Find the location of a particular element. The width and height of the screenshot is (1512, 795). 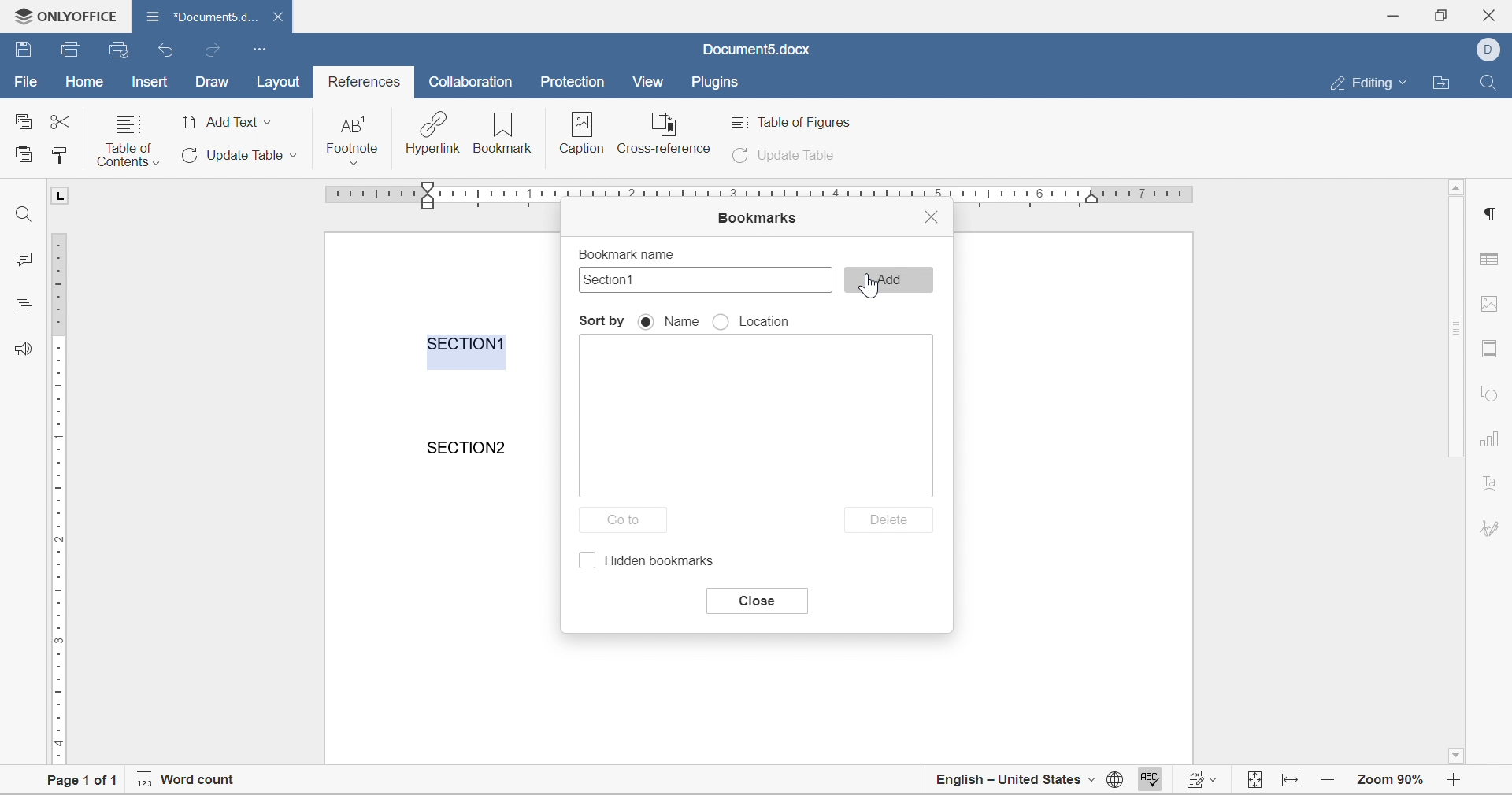

bookmark name is located at coordinates (624, 253).